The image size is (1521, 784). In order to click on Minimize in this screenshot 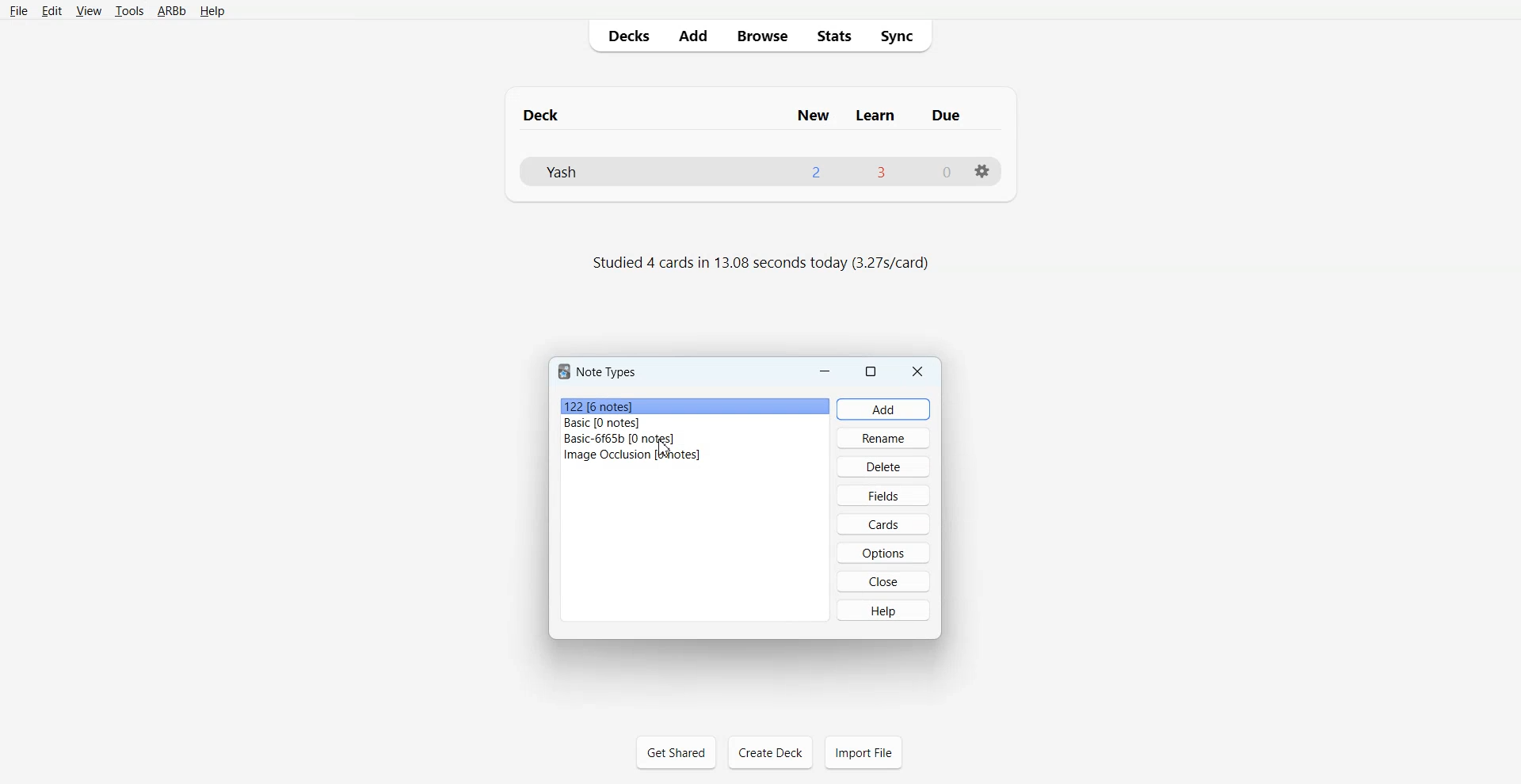, I will do `click(826, 371)`.